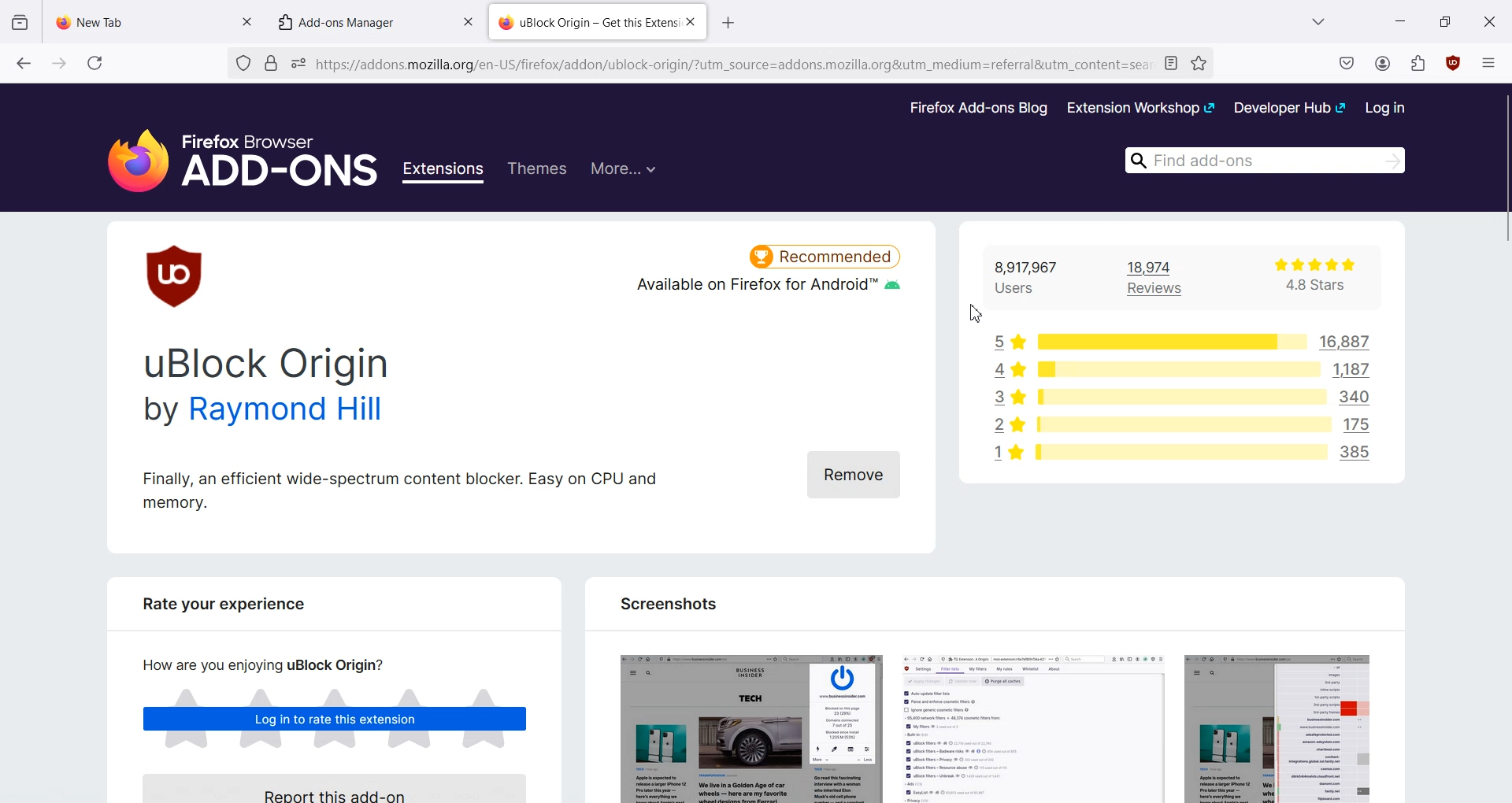  I want to click on New Tab, so click(140, 18).